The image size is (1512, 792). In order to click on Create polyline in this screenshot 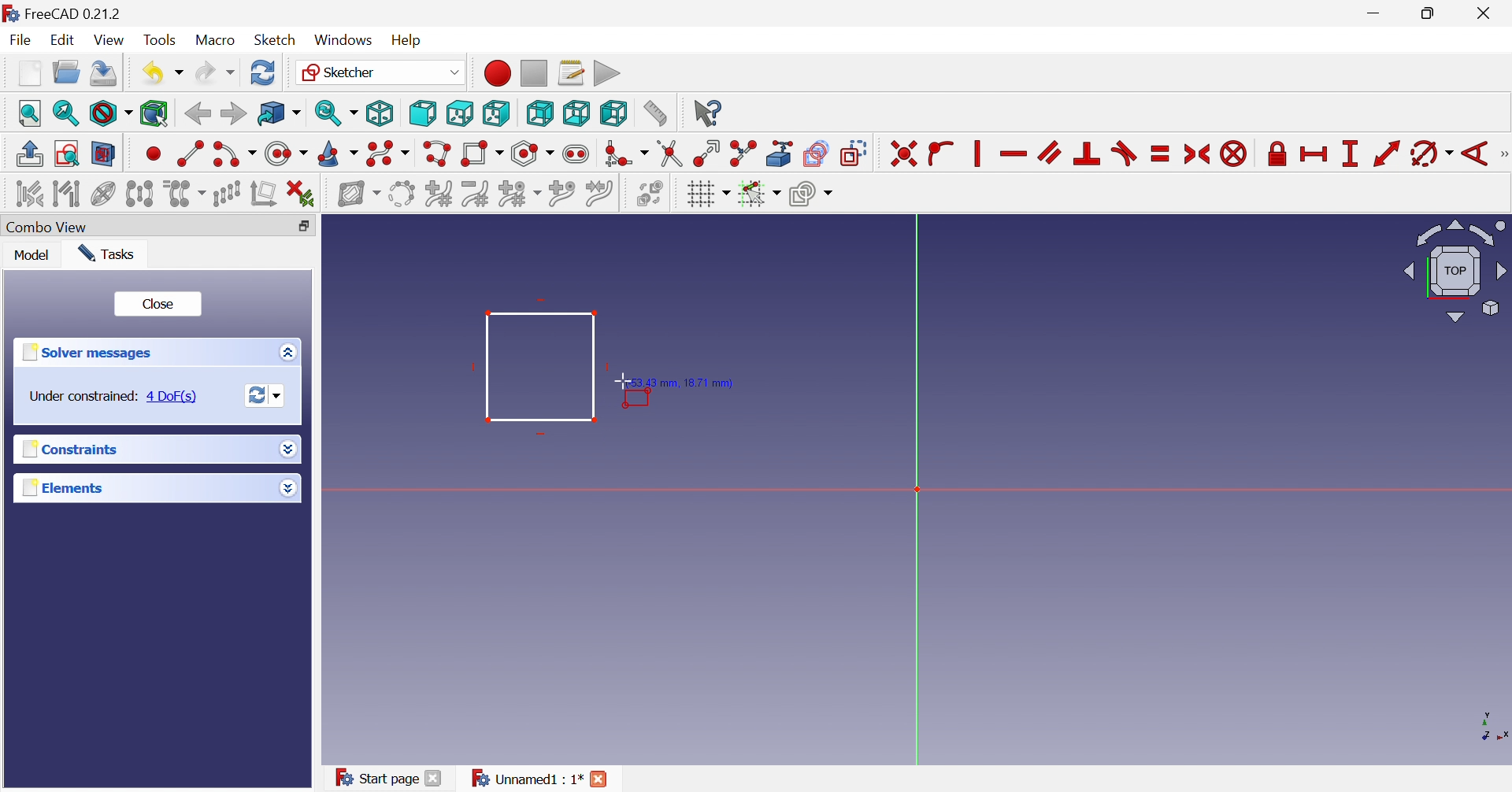, I will do `click(436, 154)`.